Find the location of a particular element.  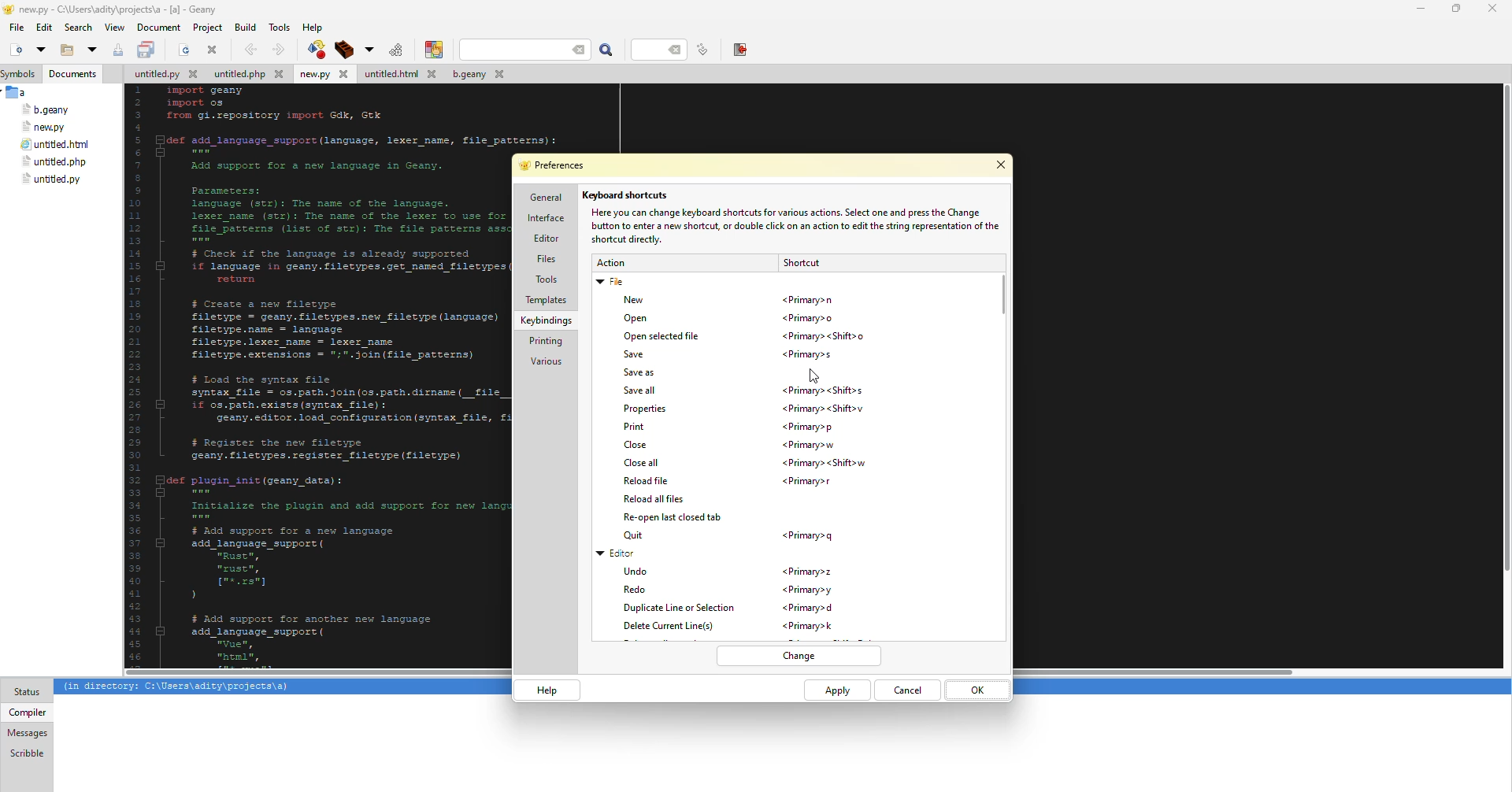

various is located at coordinates (546, 361).